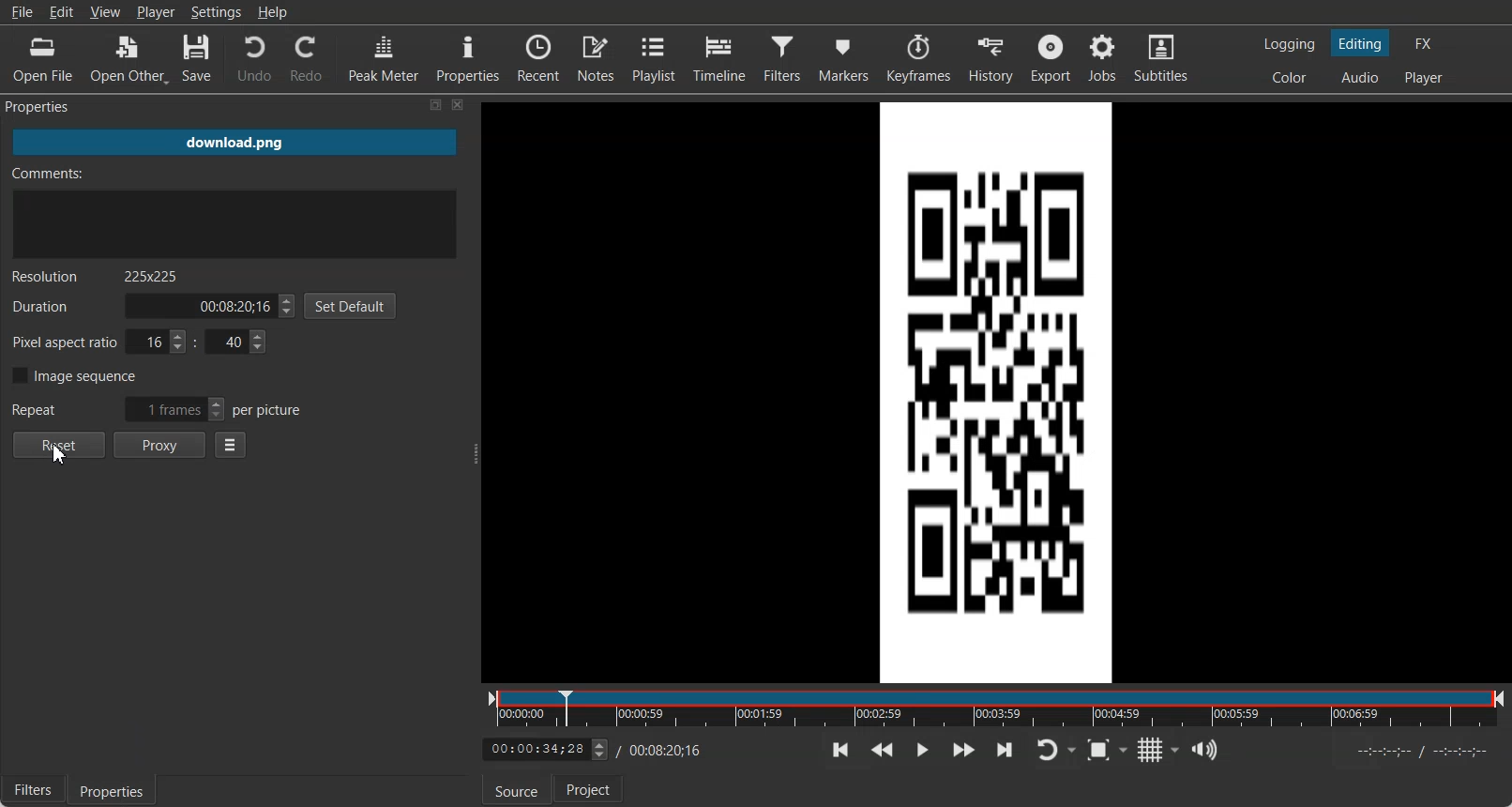 The width and height of the screenshot is (1512, 807). I want to click on Cursor, so click(59, 455).